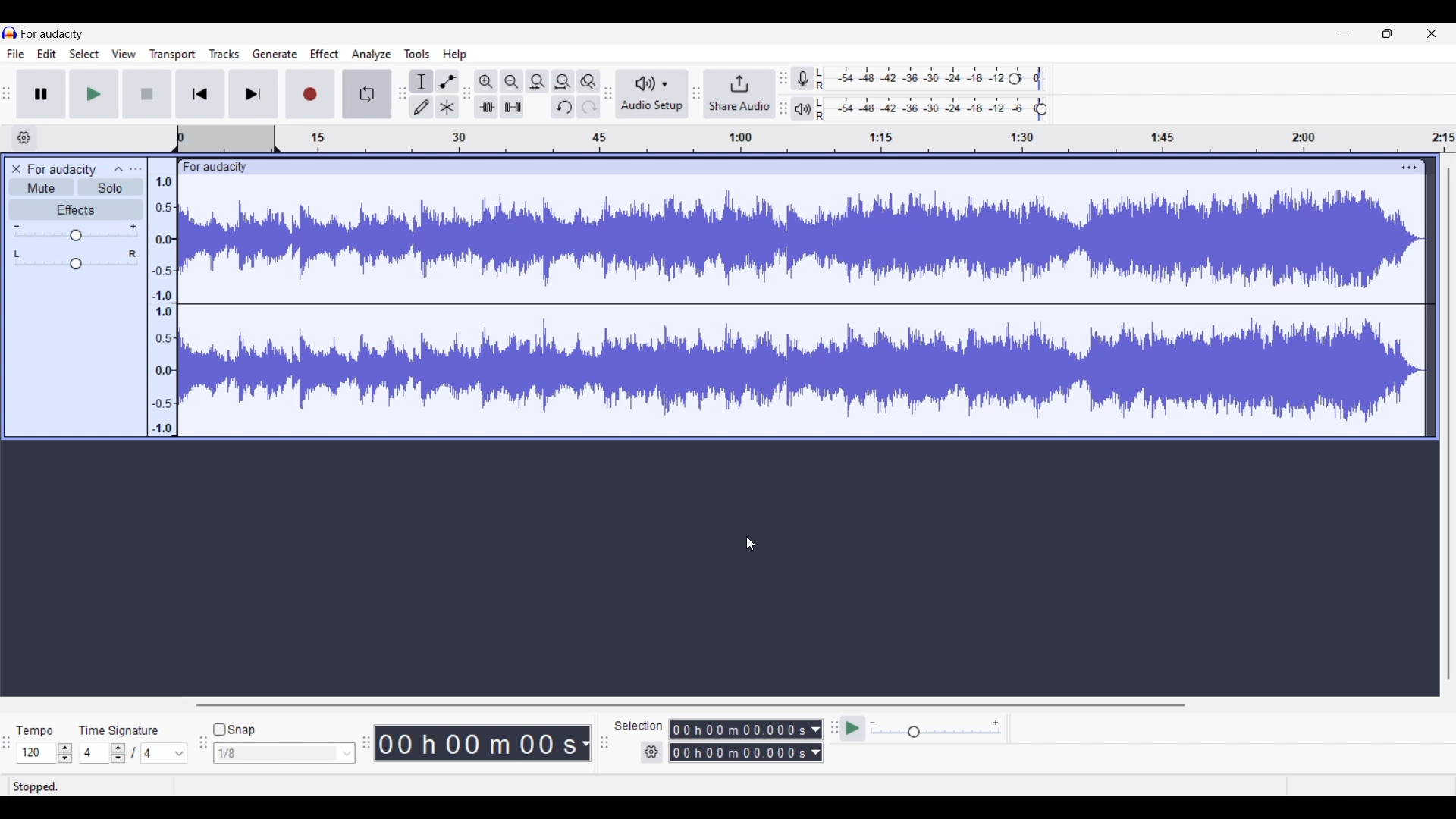 The height and width of the screenshot is (819, 1456). I want to click on tools tool bar, so click(400, 93).